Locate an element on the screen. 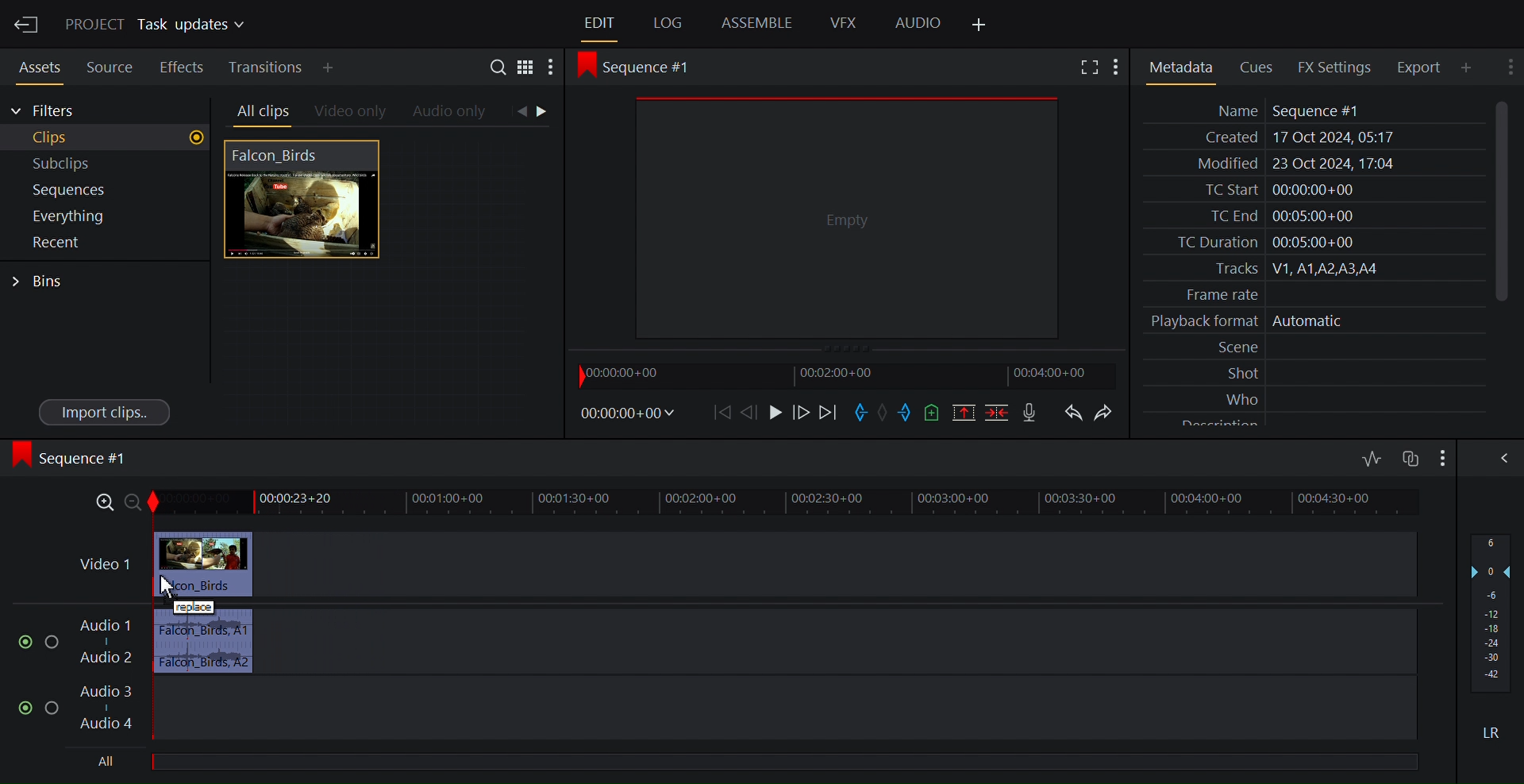 The height and width of the screenshot is (784, 1524). Video Track is located at coordinates (746, 563).